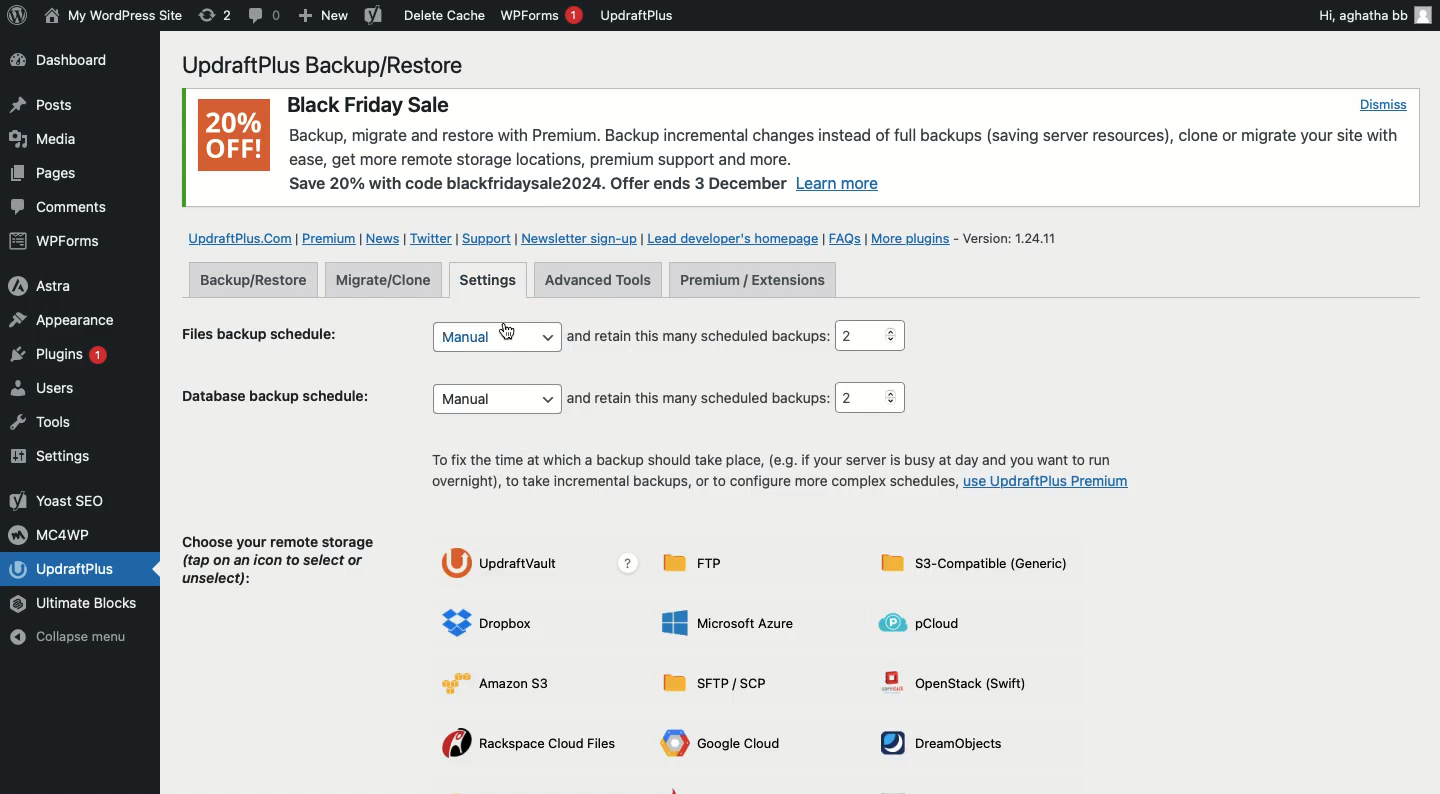 This screenshot has height=794, width=1440. Describe the element at coordinates (54, 422) in the screenshot. I see `Tools` at that location.